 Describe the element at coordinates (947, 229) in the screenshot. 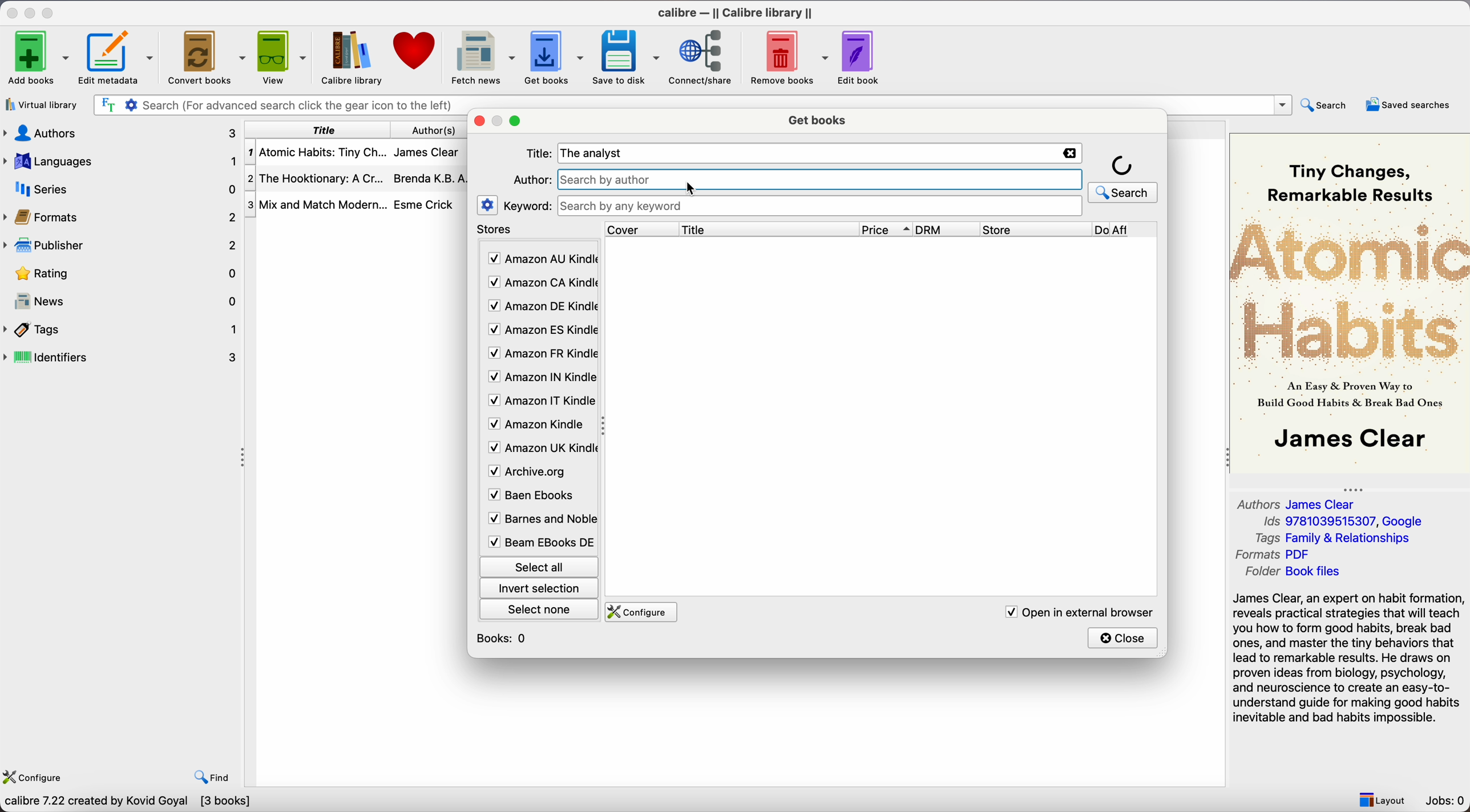

I see `DRM` at that location.